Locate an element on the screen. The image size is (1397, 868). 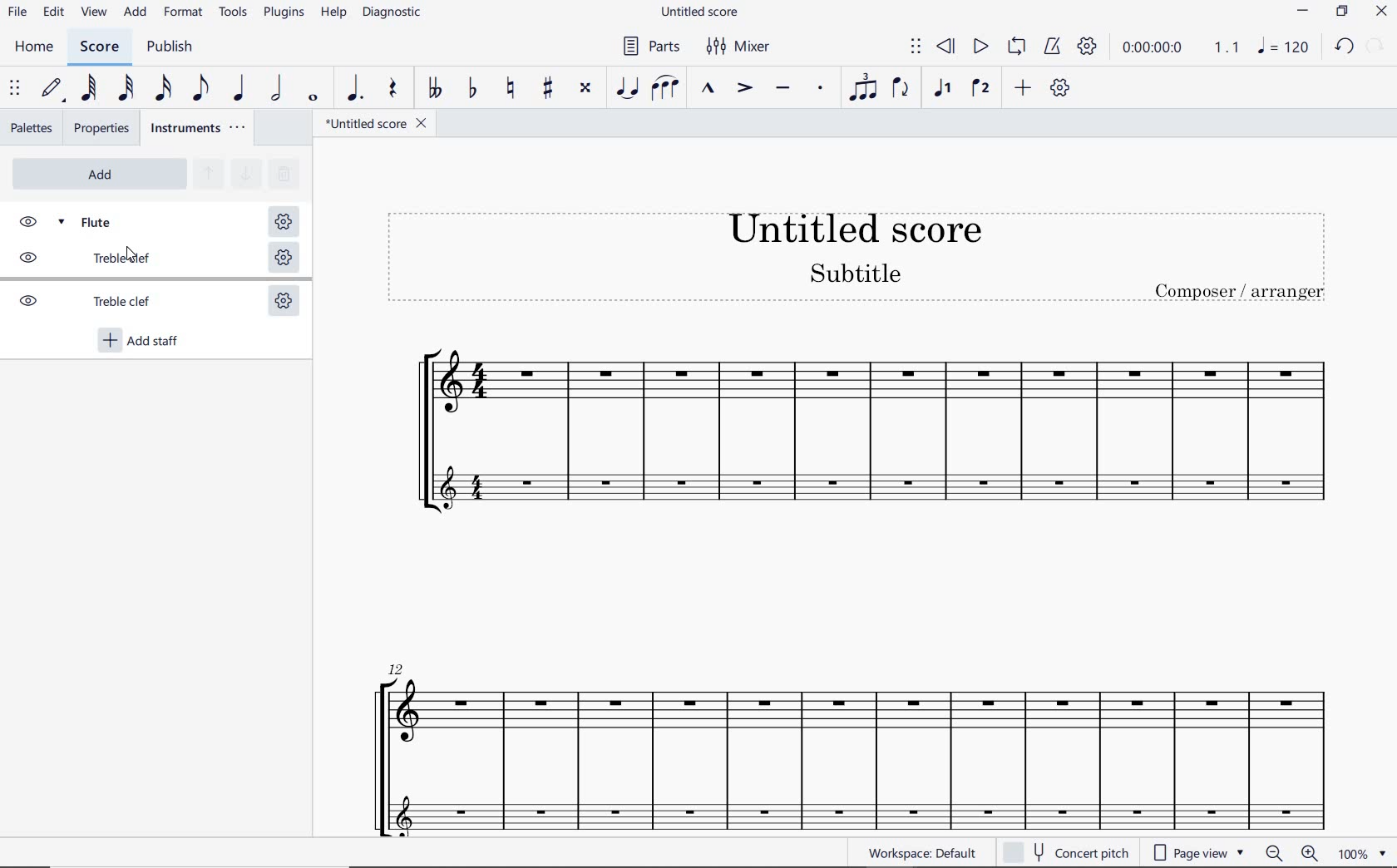
CUSTOMIZE TOOLBAR is located at coordinates (1060, 87).